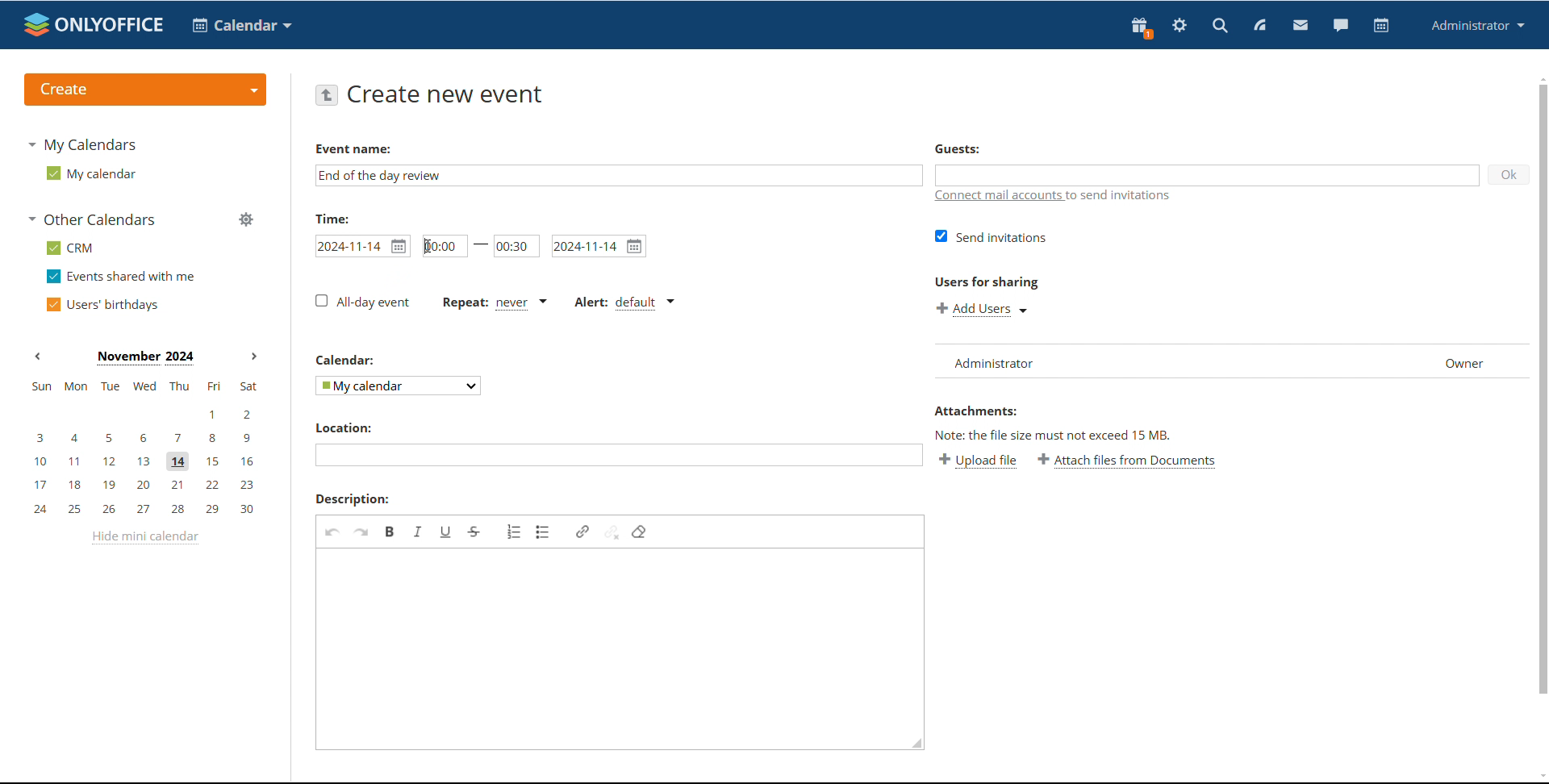  What do you see at coordinates (361, 301) in the screenshot?
I see `all-day event unticked` at bounding box center [361, 301].